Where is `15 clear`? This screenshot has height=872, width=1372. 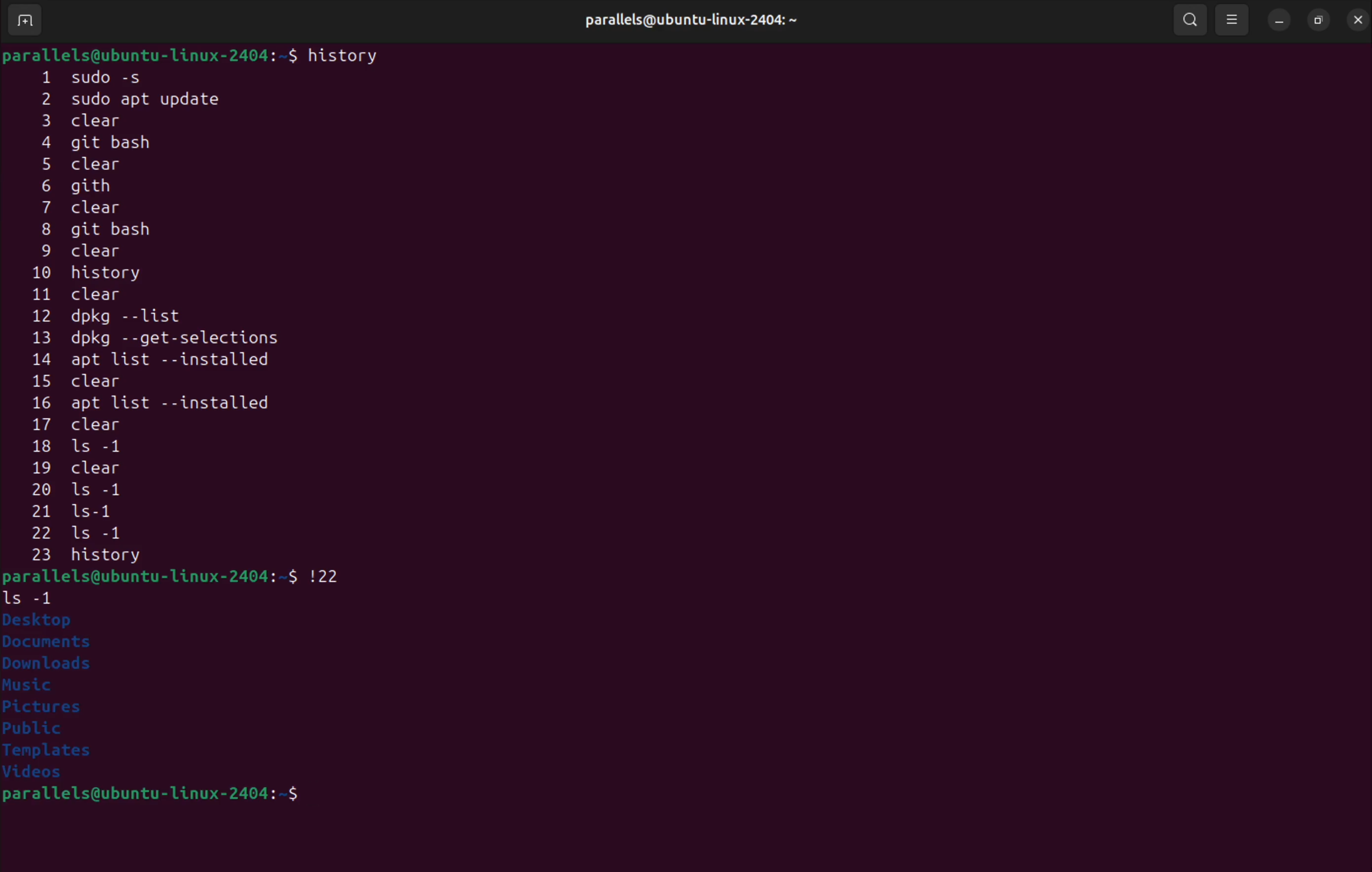 15 clear is located at coordinates (86, 381).